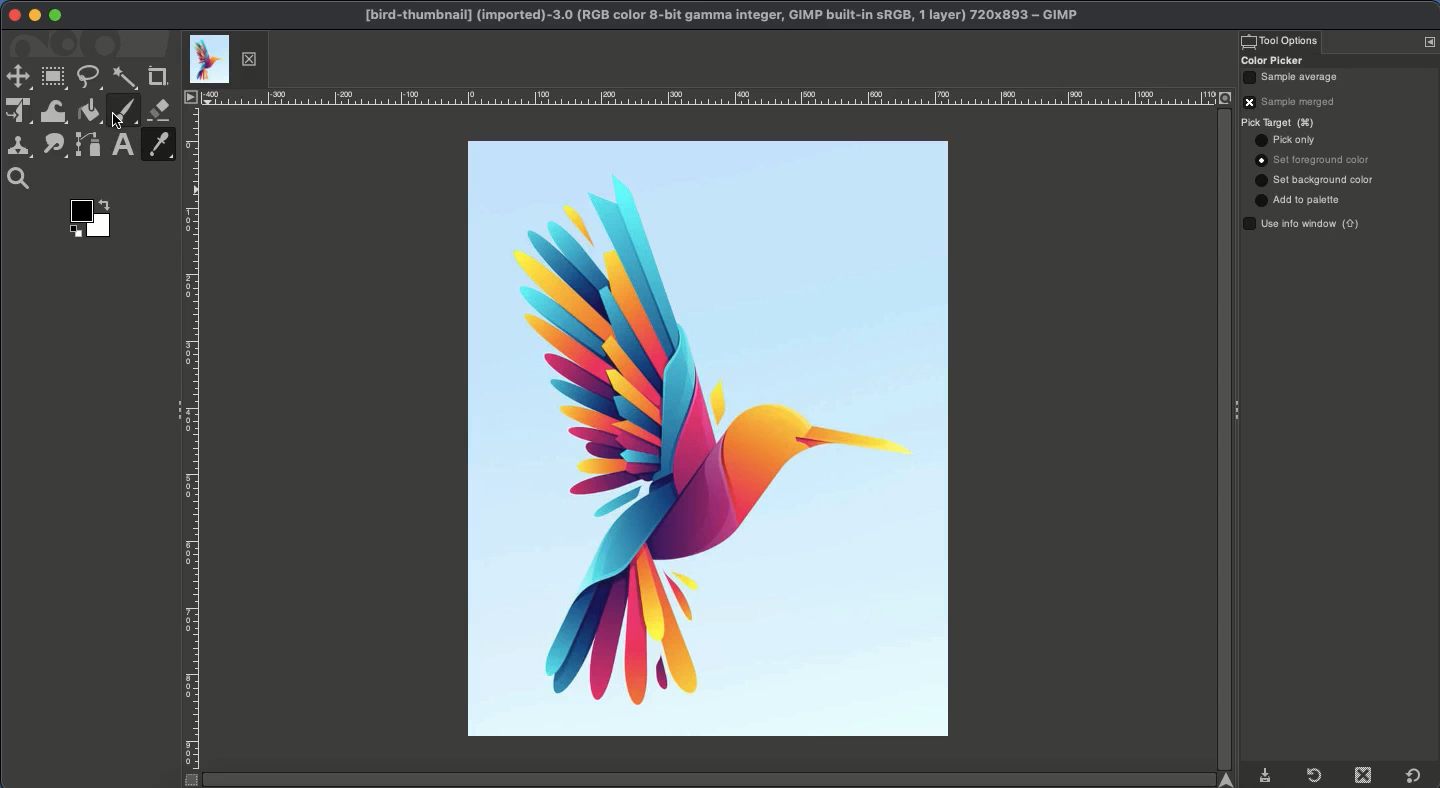 The width and height of the screenshot is (1440, 788). What do you see at coordinates (719, 15) in the screenshot?
I see `GIMP project` at bounding box center [719, 15].